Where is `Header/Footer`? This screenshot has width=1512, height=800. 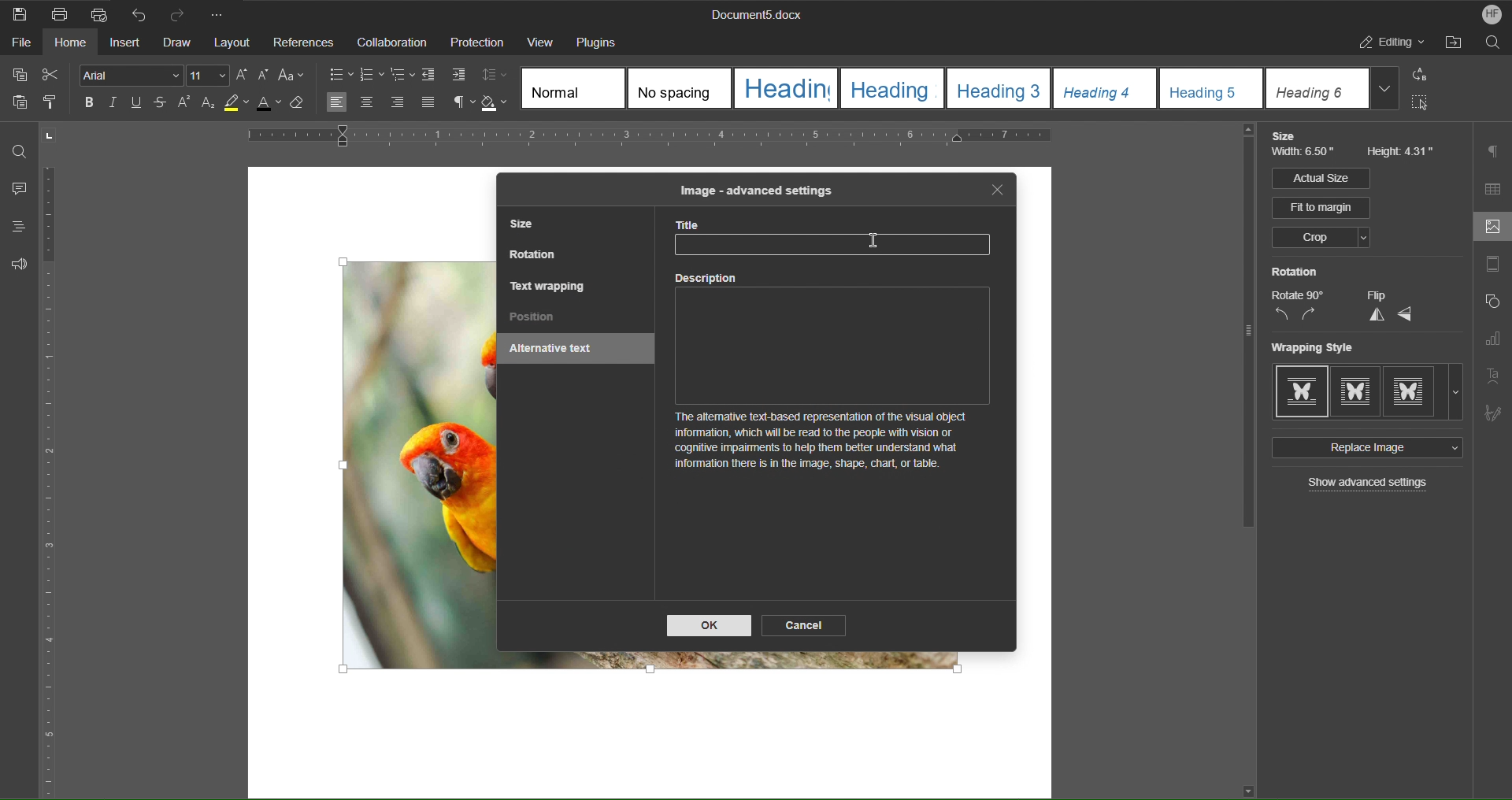
Header/Footer is located at coordinates (1492, 267).